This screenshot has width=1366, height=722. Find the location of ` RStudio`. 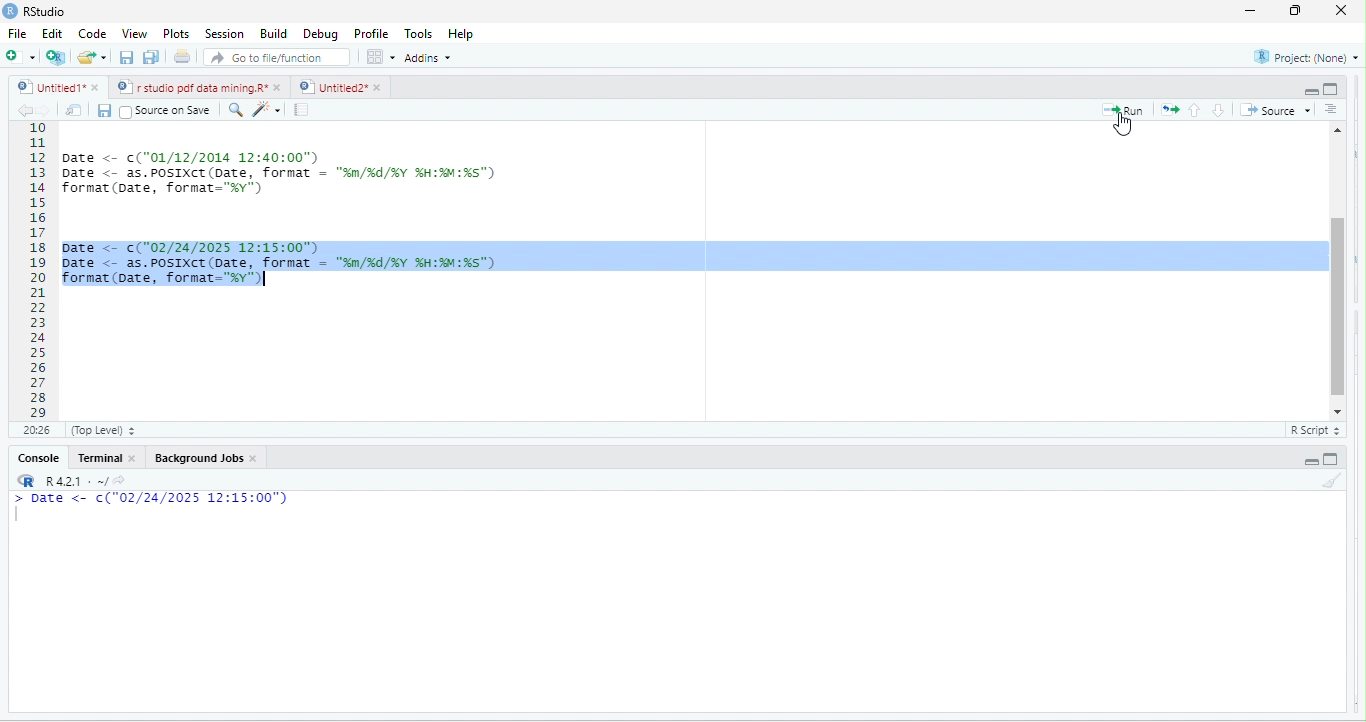

 RStudio is located at coordinates (43, 12).